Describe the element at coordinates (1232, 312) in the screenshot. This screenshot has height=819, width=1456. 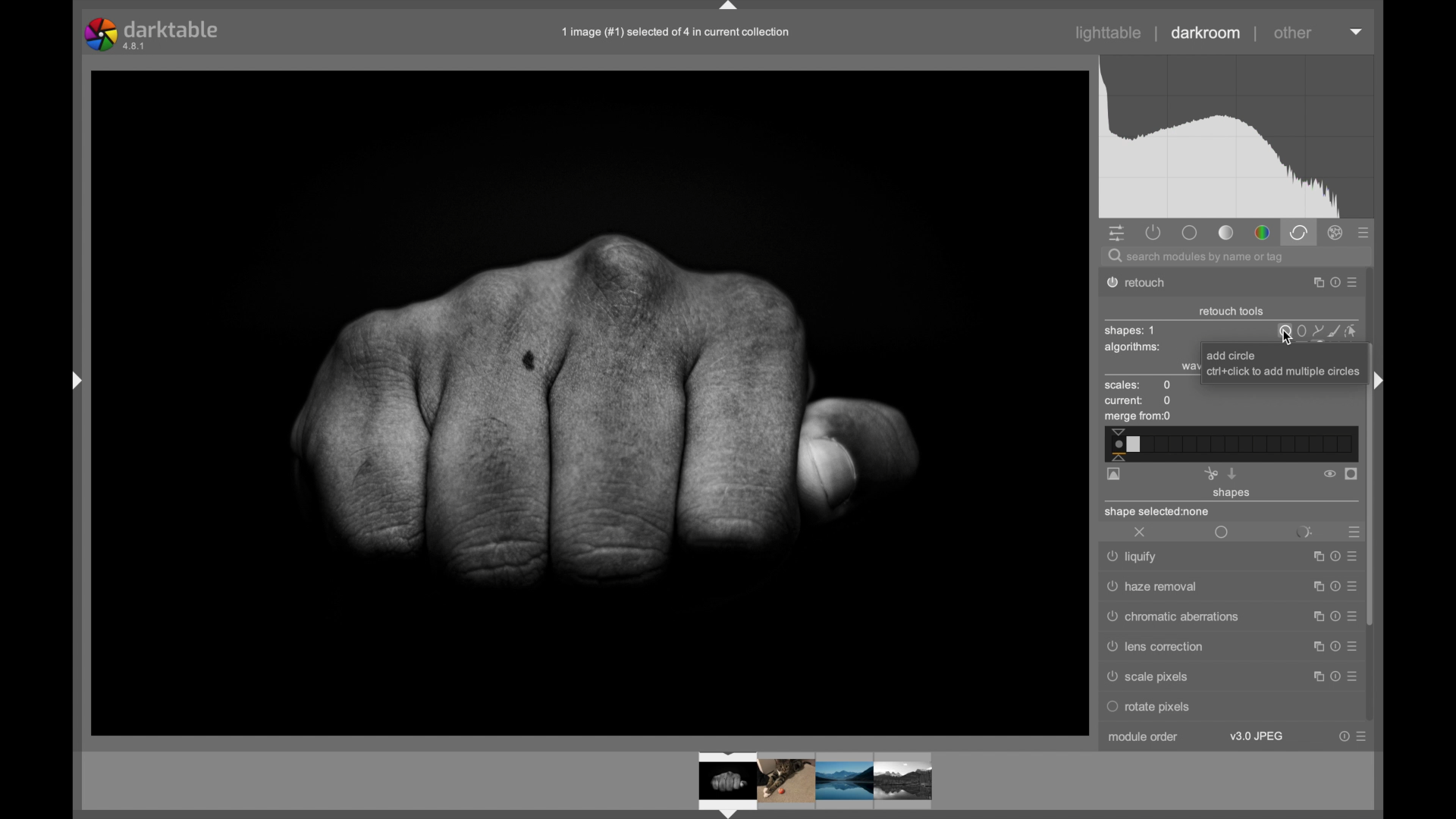
I see `retouch tools` at that location.